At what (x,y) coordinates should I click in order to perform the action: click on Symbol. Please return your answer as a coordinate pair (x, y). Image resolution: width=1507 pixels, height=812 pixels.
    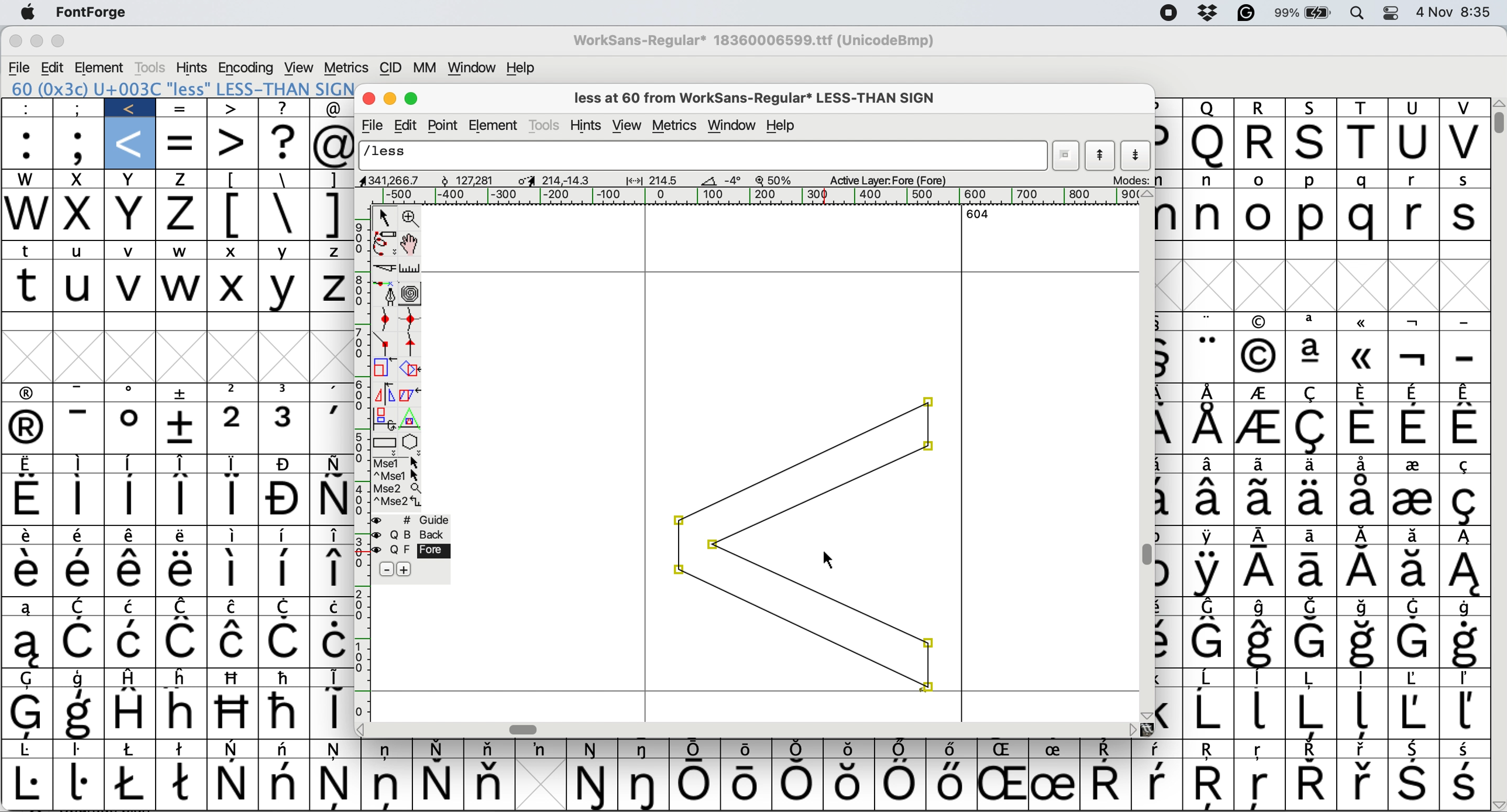
    Looking at the image, I should click on (332, 498).